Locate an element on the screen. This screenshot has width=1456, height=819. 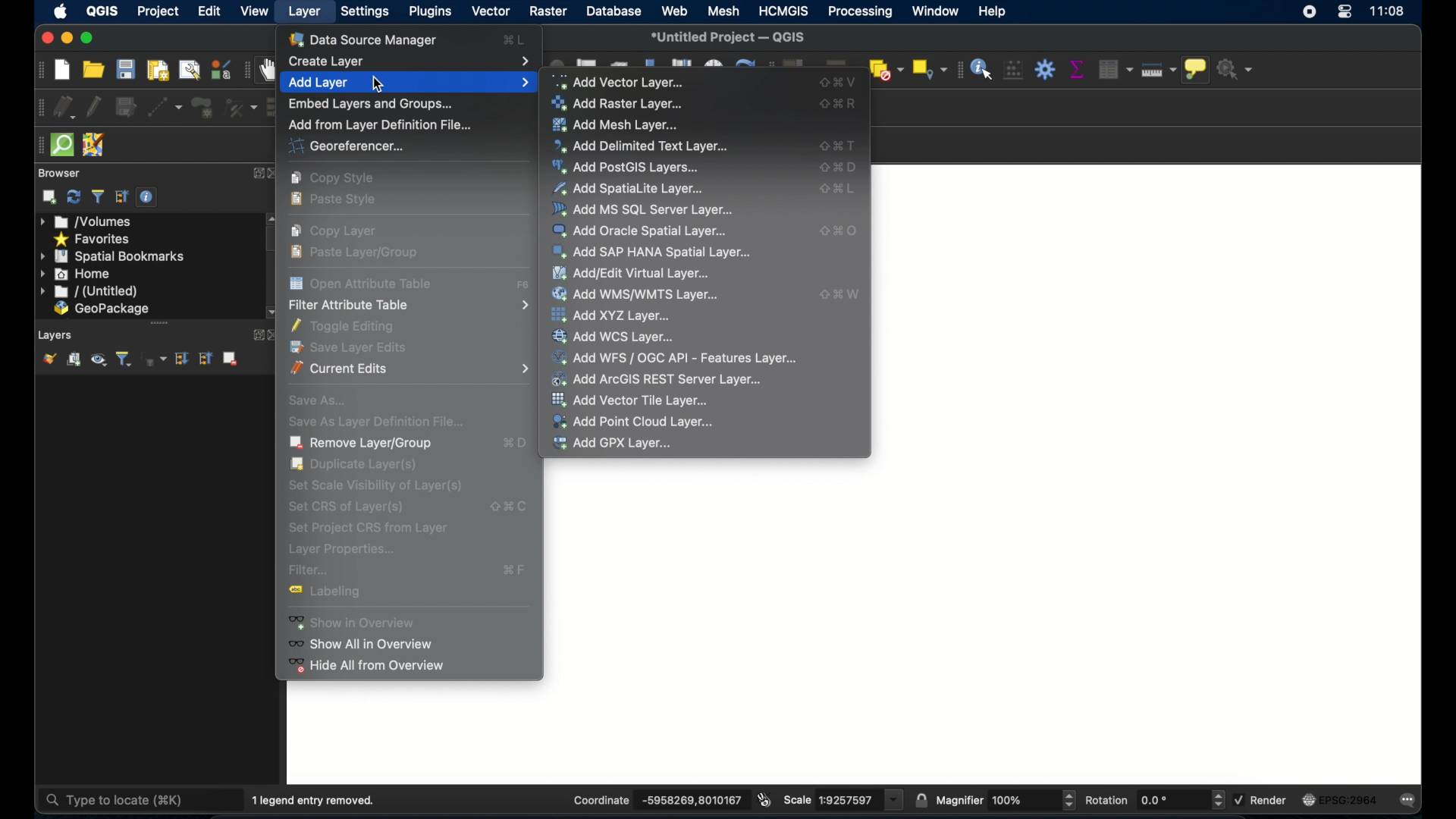
paste layer/group is located at coordinates (358, 252).